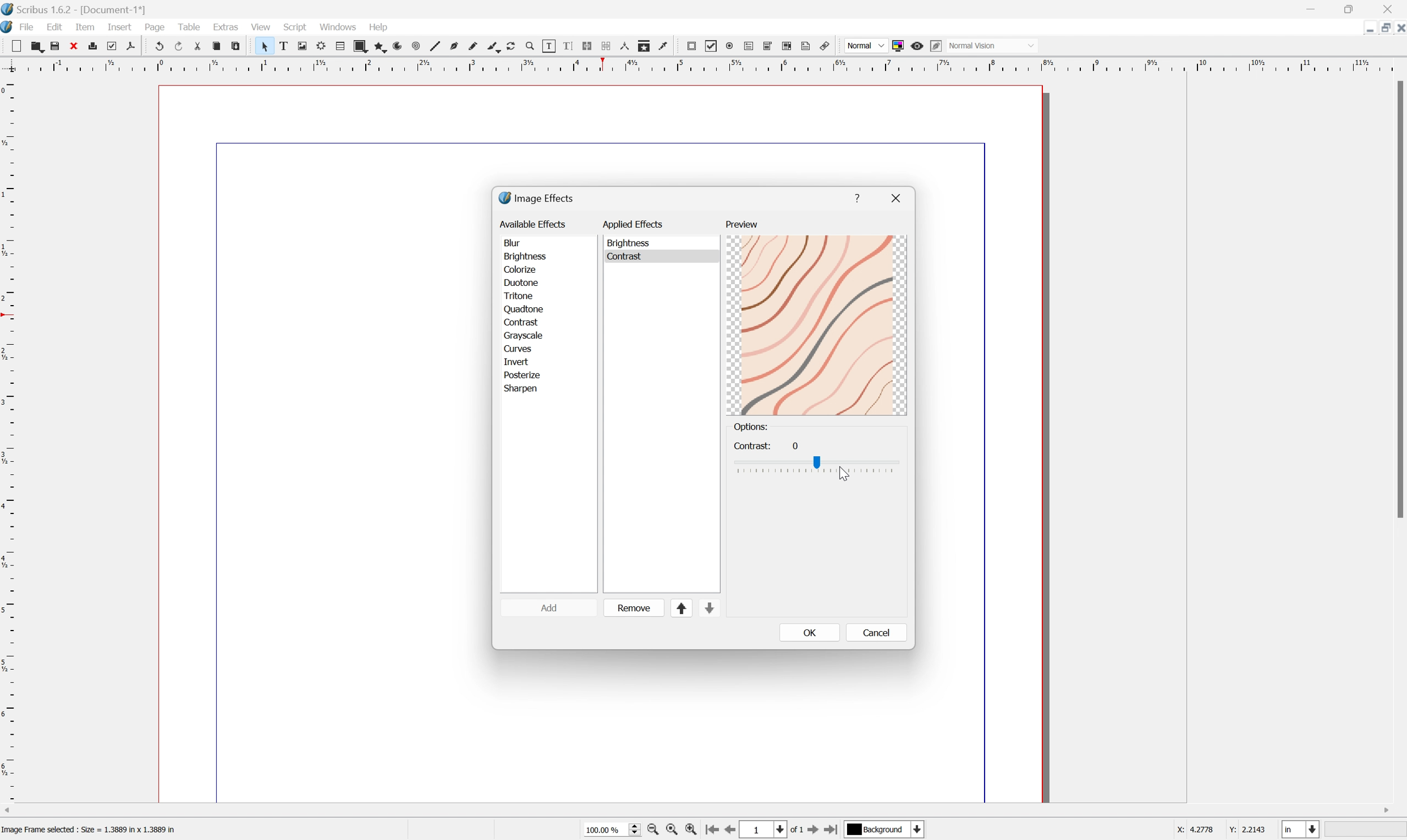 Image resolution: width=1407 pixels, height=840 pixels. What do you see at coordinates (698, 608) in the screenshot?
I see `sort` at bounding box center [698, 608].